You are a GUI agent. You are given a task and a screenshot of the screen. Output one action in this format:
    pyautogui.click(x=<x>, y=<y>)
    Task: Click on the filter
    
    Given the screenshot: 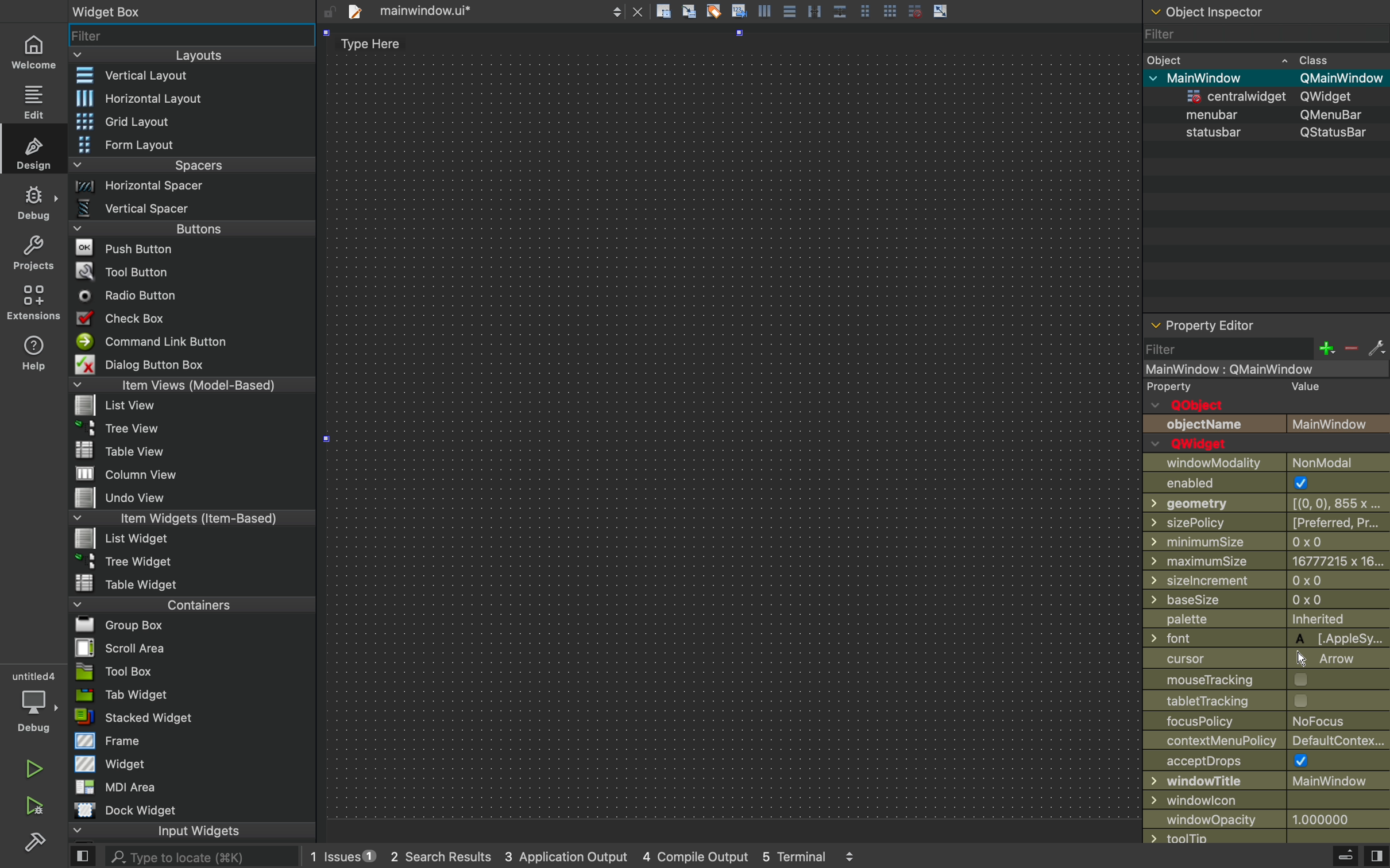 What is the action you would take?
    pyautogui.click(x=1261, y=36)
    